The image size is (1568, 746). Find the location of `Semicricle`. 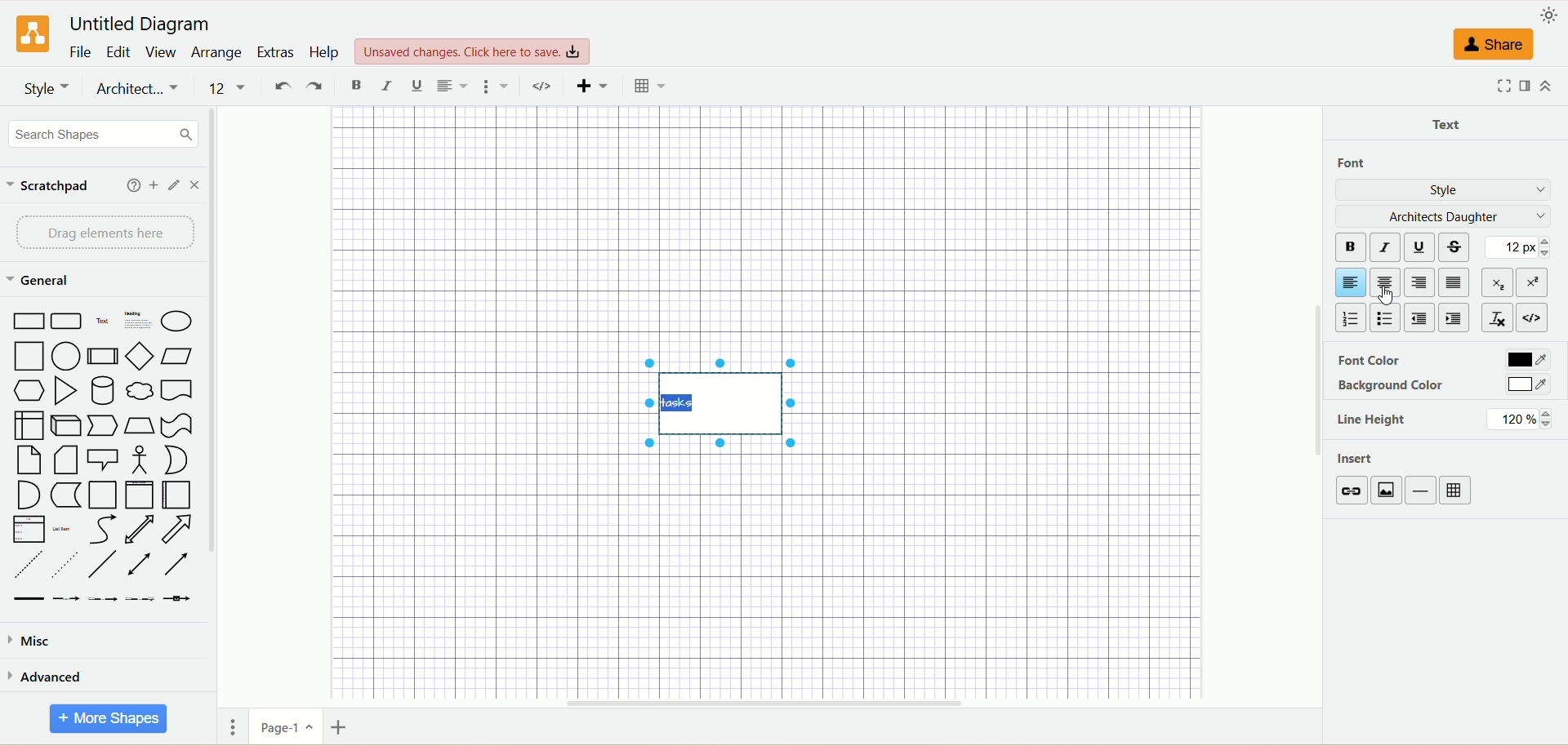

Semicricle is located at coordinates (29, 495).